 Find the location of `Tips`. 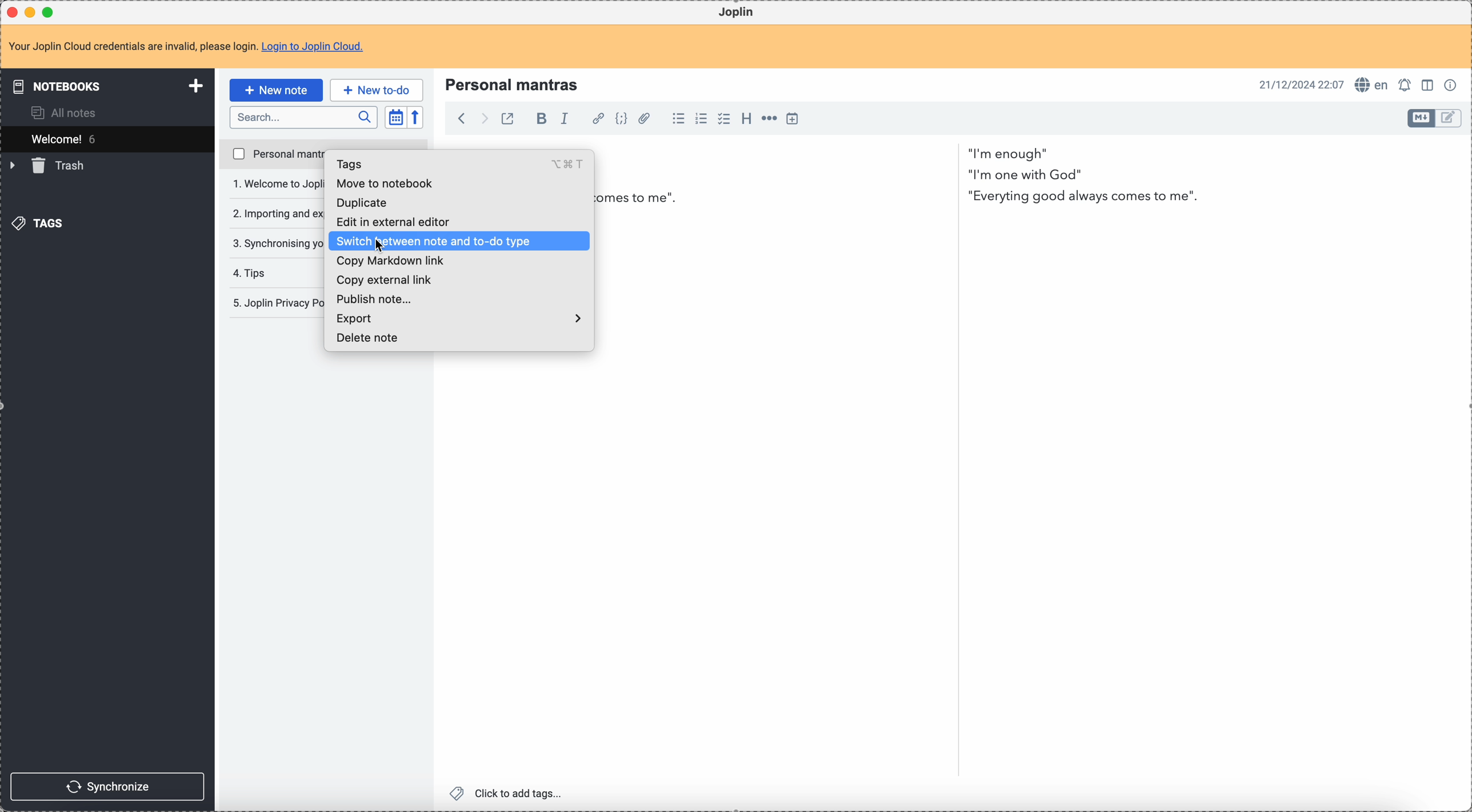

Tips is located at coordinates (250, 273).